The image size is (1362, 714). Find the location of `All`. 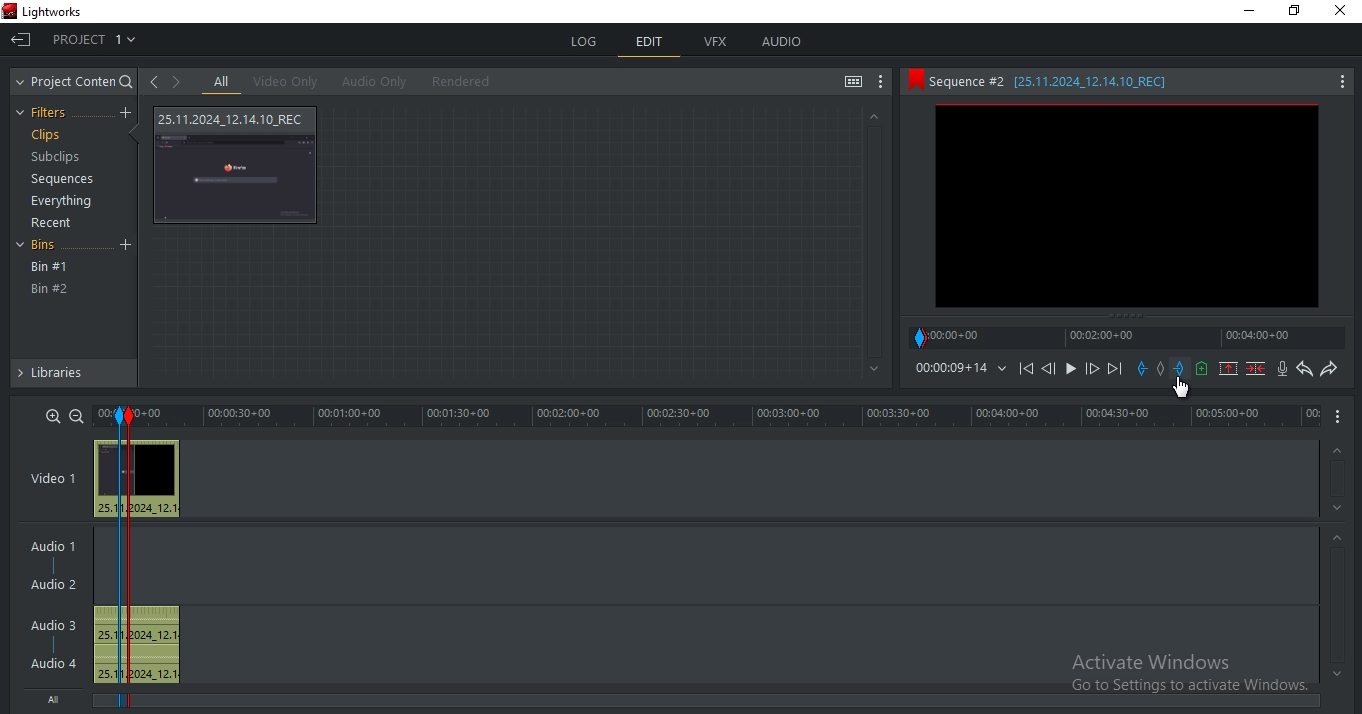

All is located at coordinates (59, 701).